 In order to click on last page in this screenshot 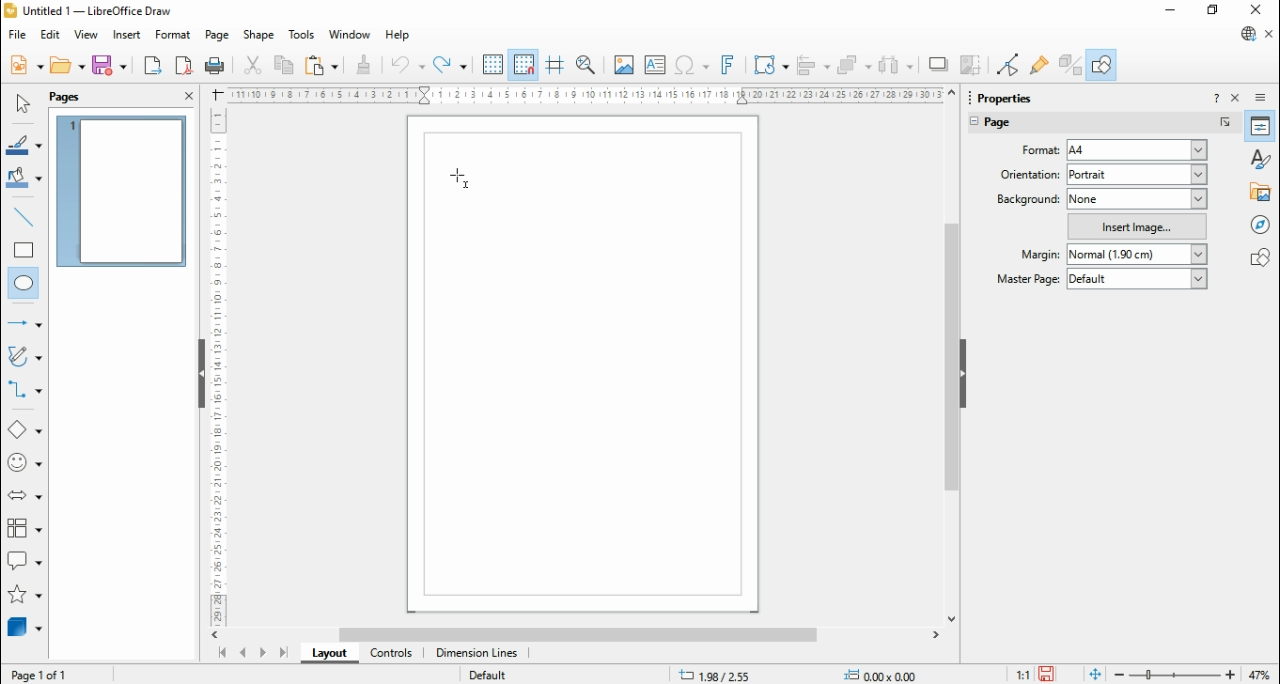, I will do `click(283, 653)`.